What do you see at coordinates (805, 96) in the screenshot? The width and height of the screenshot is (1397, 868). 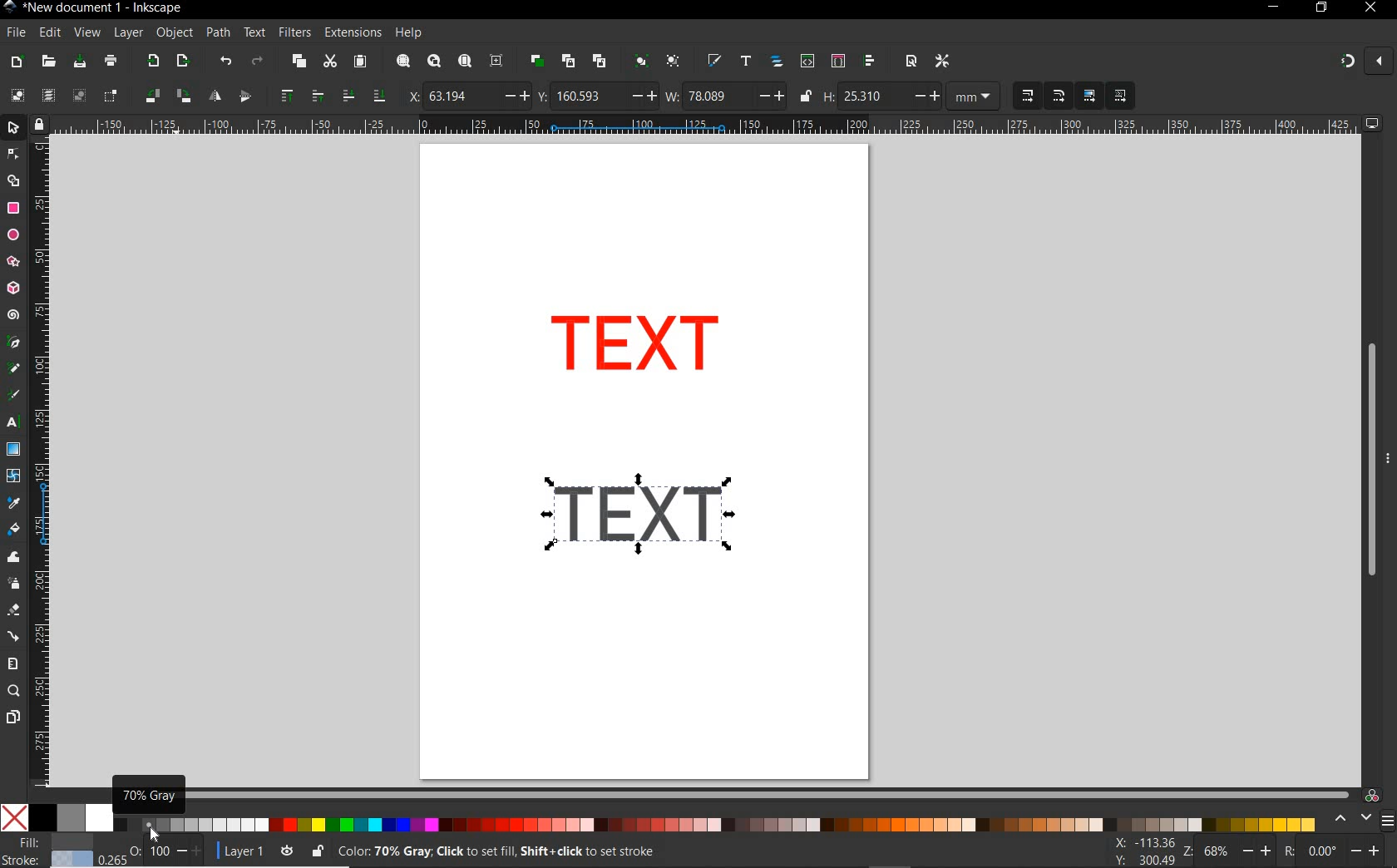 I see `lock/unlock to change width or height` at bounding box center [805, 96].